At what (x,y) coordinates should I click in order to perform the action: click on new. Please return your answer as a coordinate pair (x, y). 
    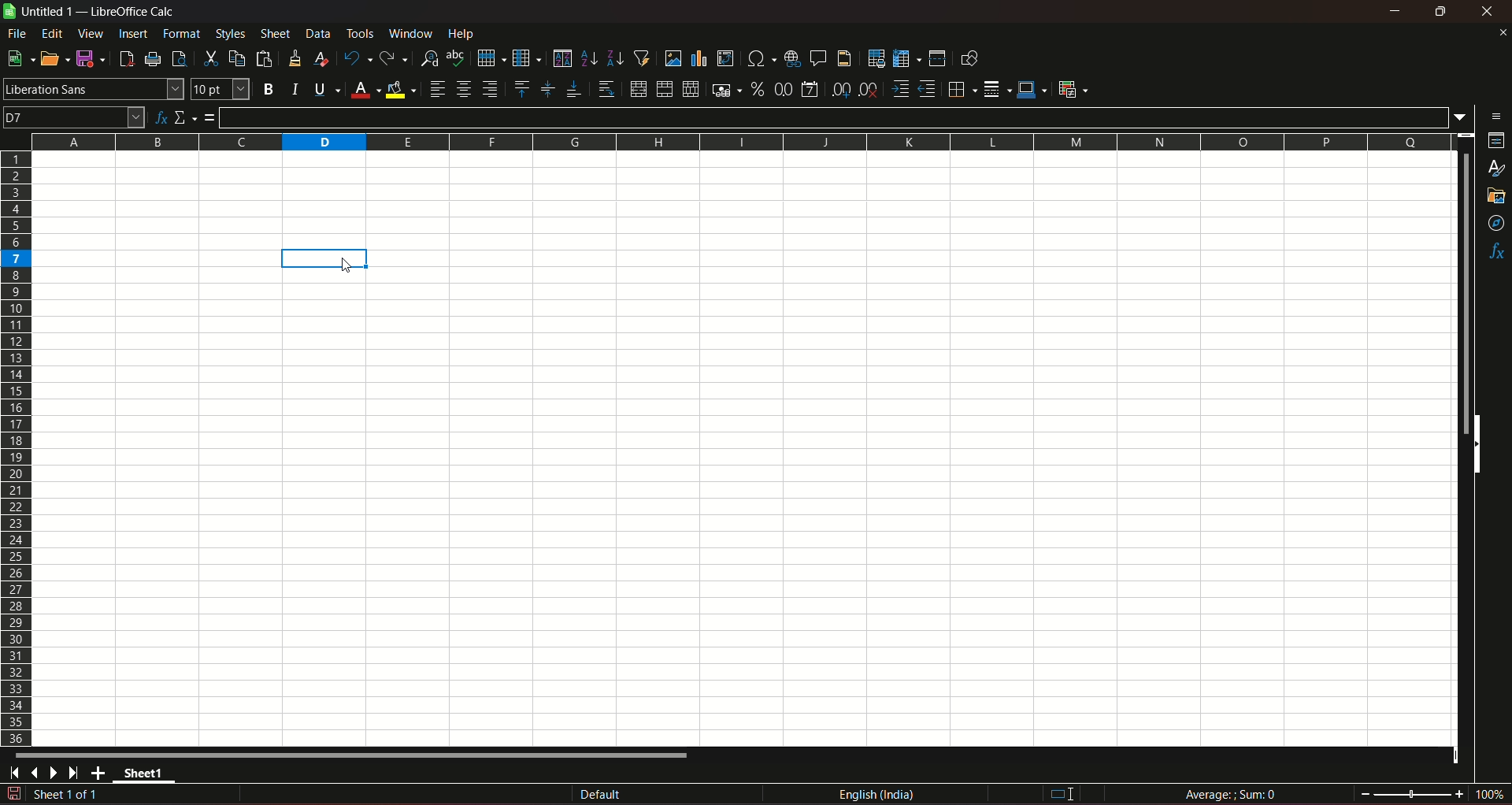
    Looking at the image, I should click on (18, 58).